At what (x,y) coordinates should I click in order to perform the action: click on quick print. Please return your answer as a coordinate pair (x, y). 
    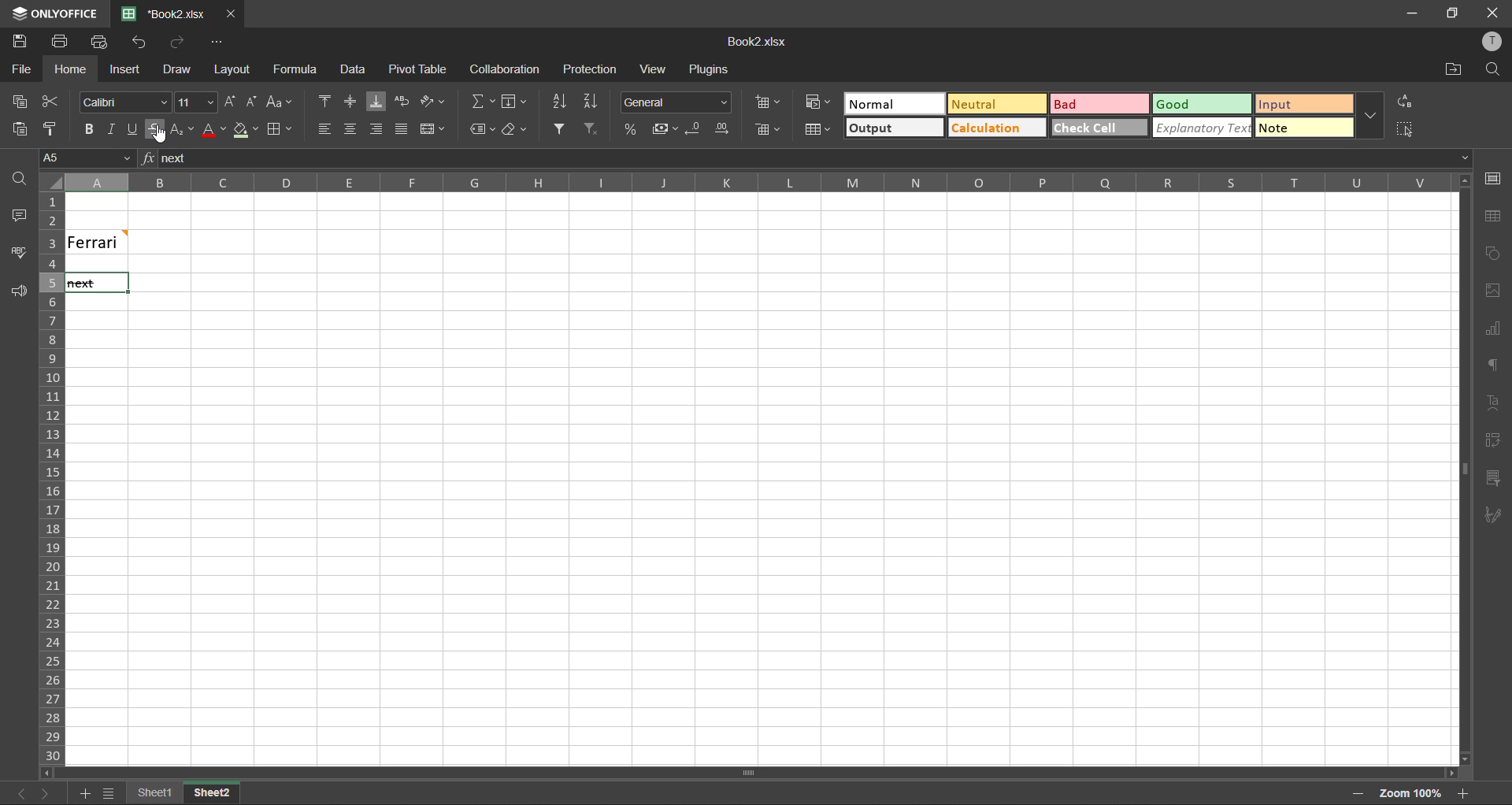
    Looking at the image, I should click on (99, 43).